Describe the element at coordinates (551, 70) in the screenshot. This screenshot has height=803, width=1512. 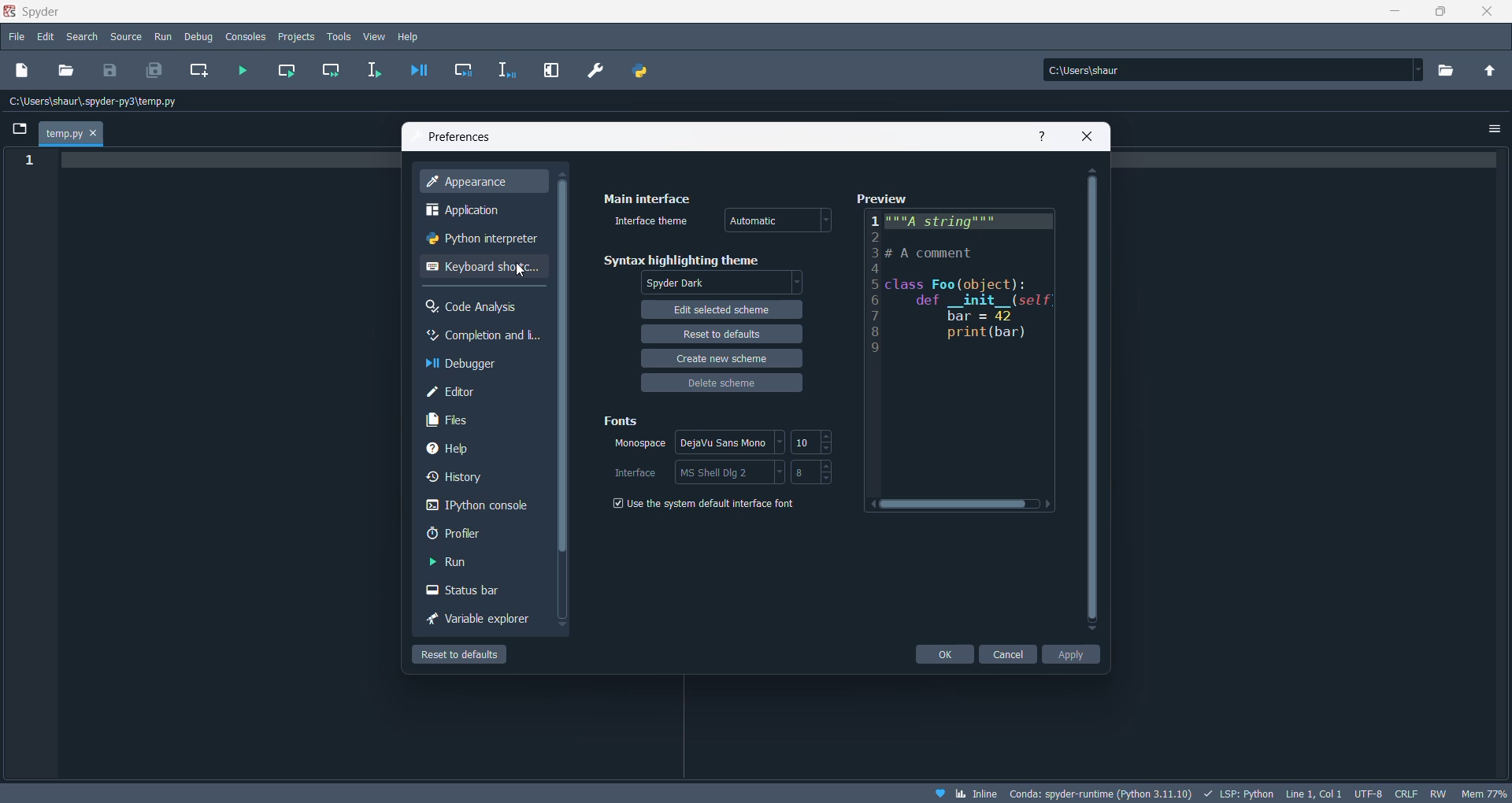
I see `Maximize current pane` at that location.